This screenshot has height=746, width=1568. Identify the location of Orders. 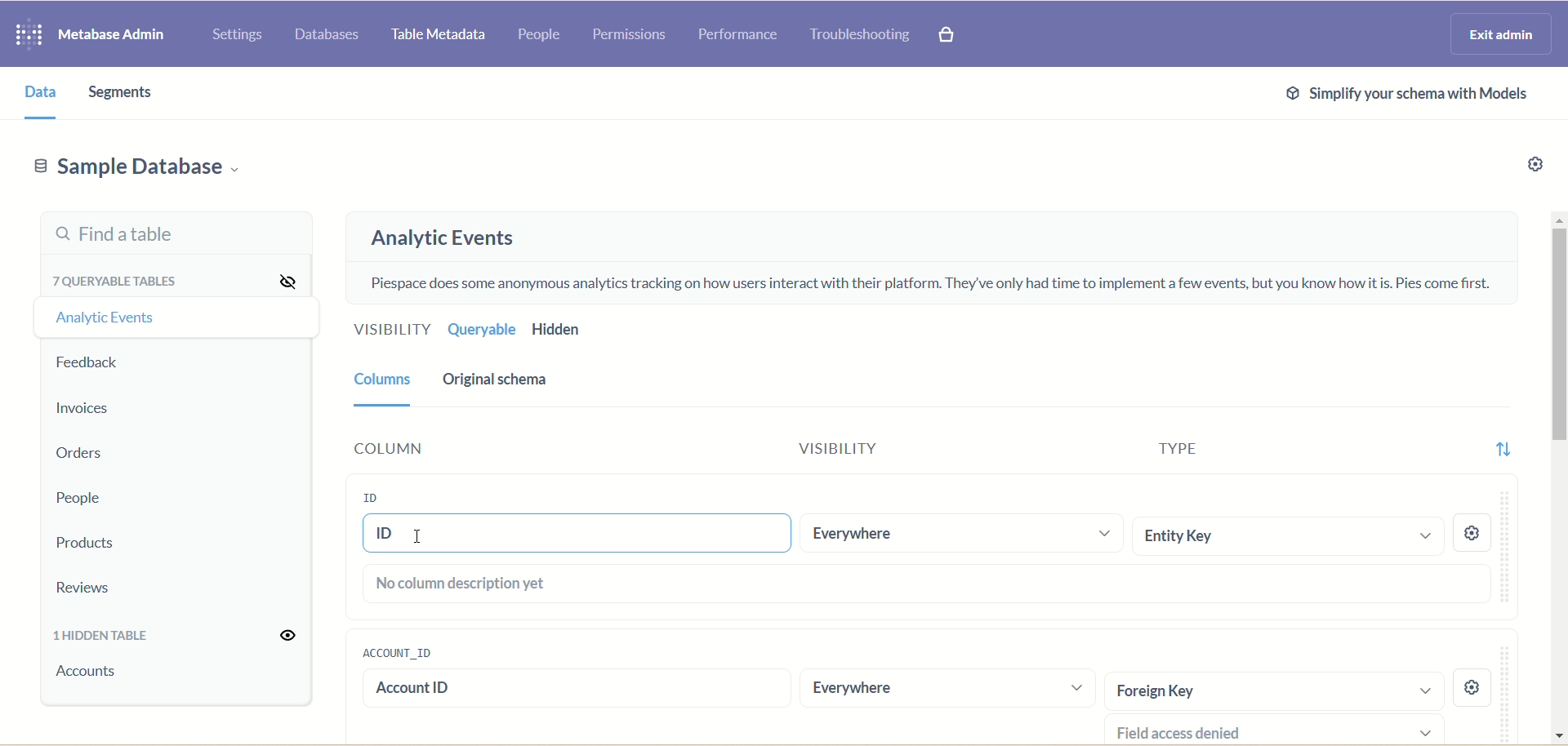
(78, 452).